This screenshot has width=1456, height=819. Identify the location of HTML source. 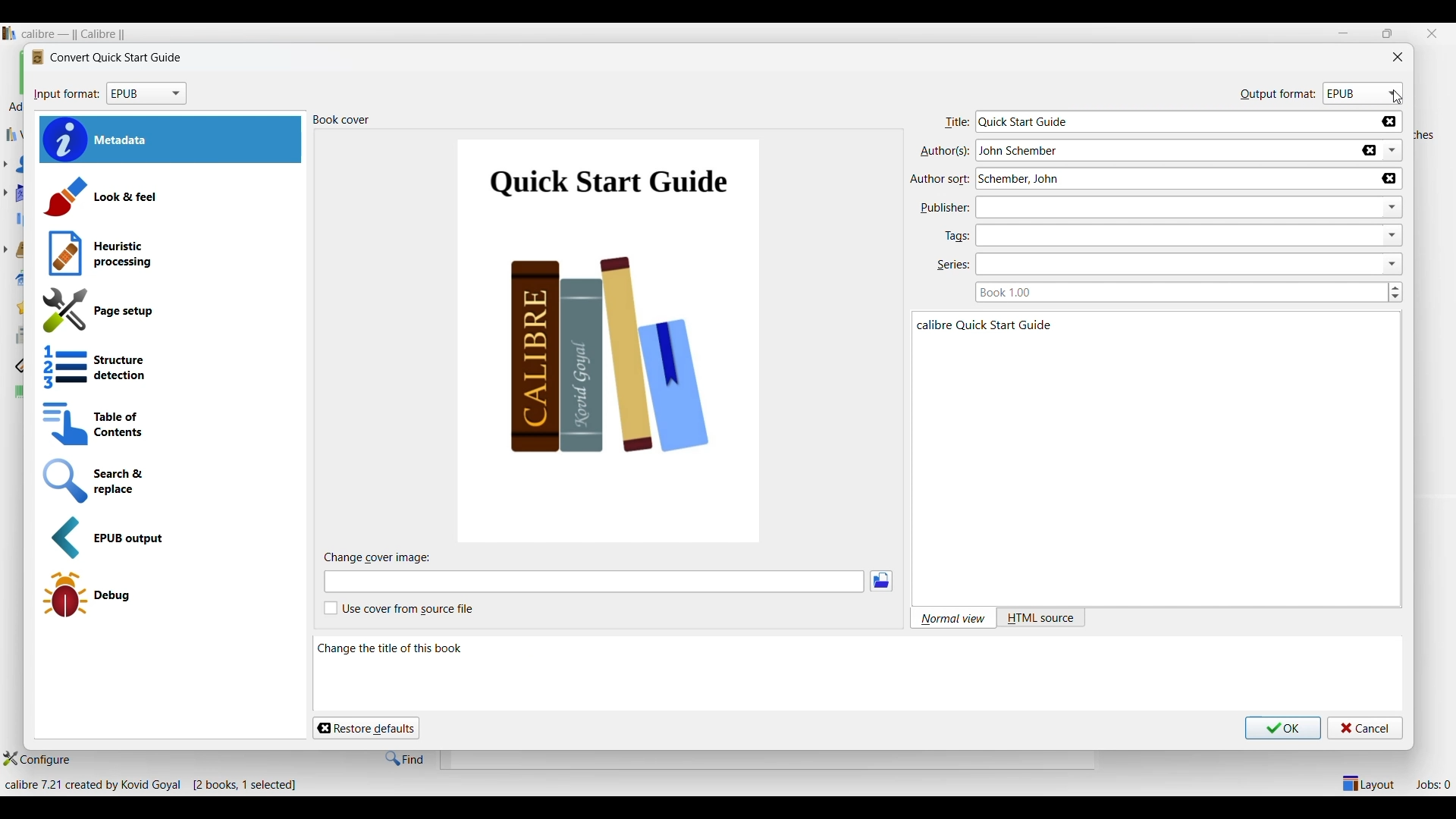
(1042, 619).